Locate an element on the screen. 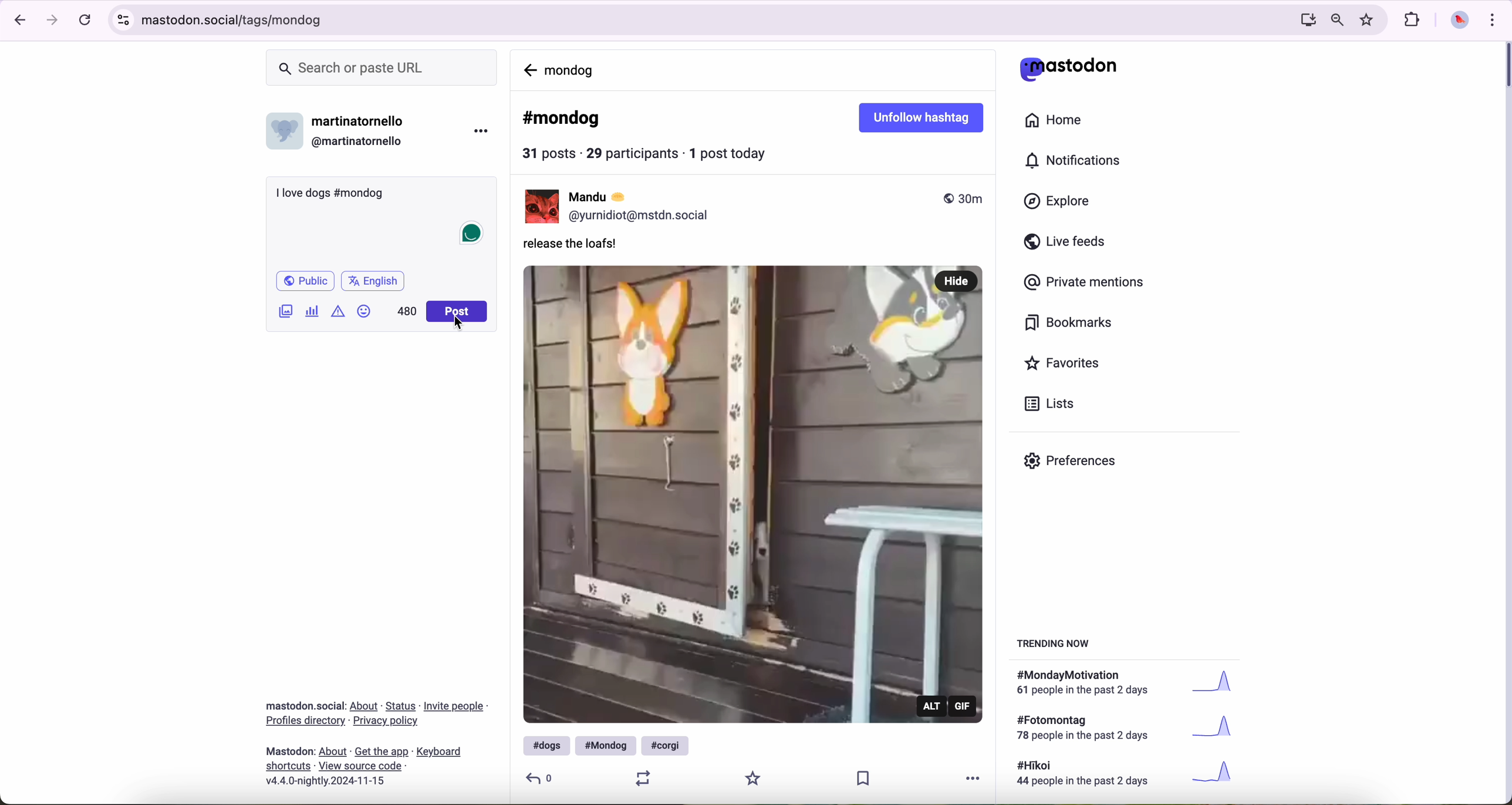 This screenshot has width=1512, height=805. link is located at coordinates (289, 767).